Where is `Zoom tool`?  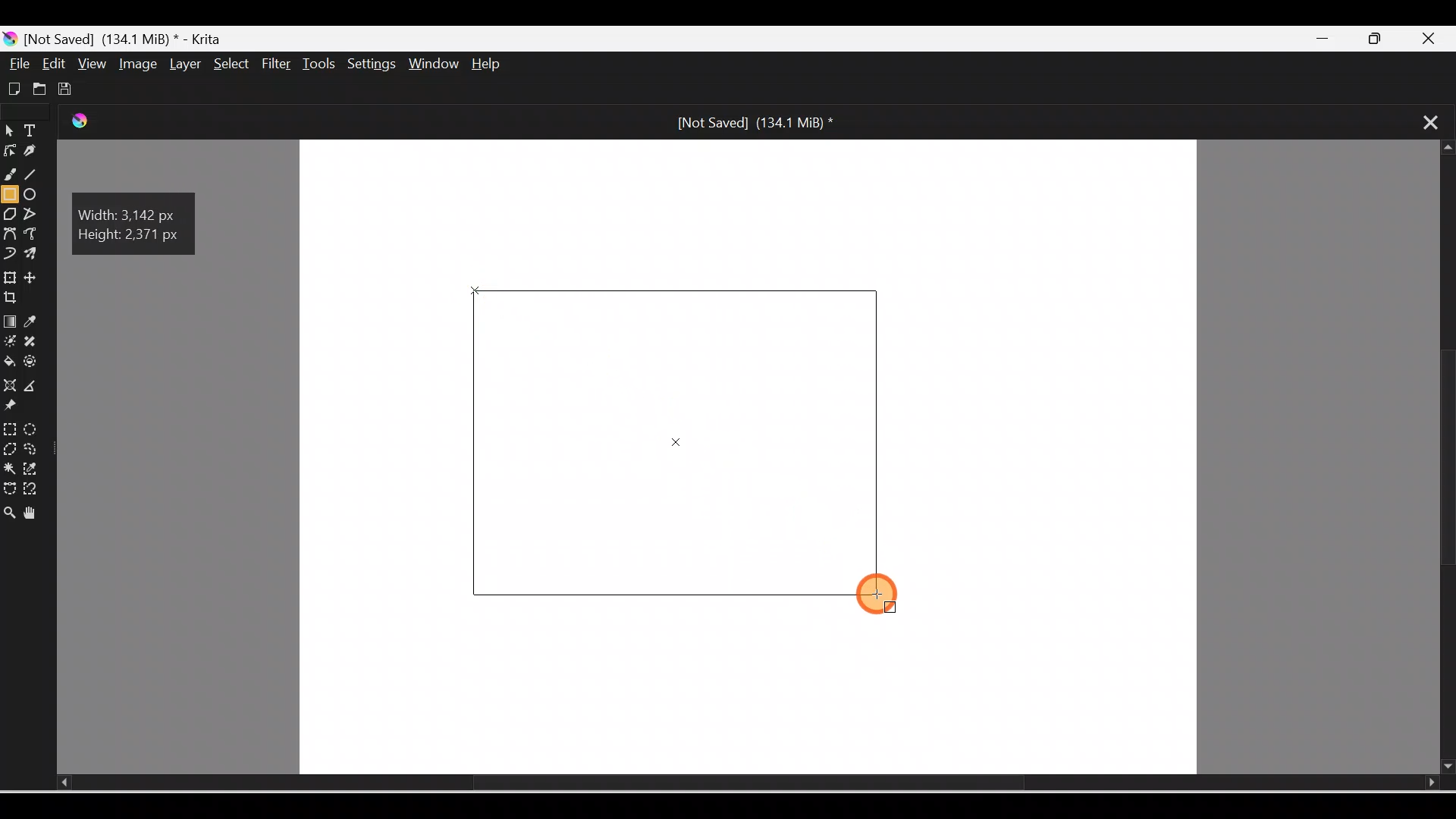
Zoom tool is located at coordinates (9, 508).